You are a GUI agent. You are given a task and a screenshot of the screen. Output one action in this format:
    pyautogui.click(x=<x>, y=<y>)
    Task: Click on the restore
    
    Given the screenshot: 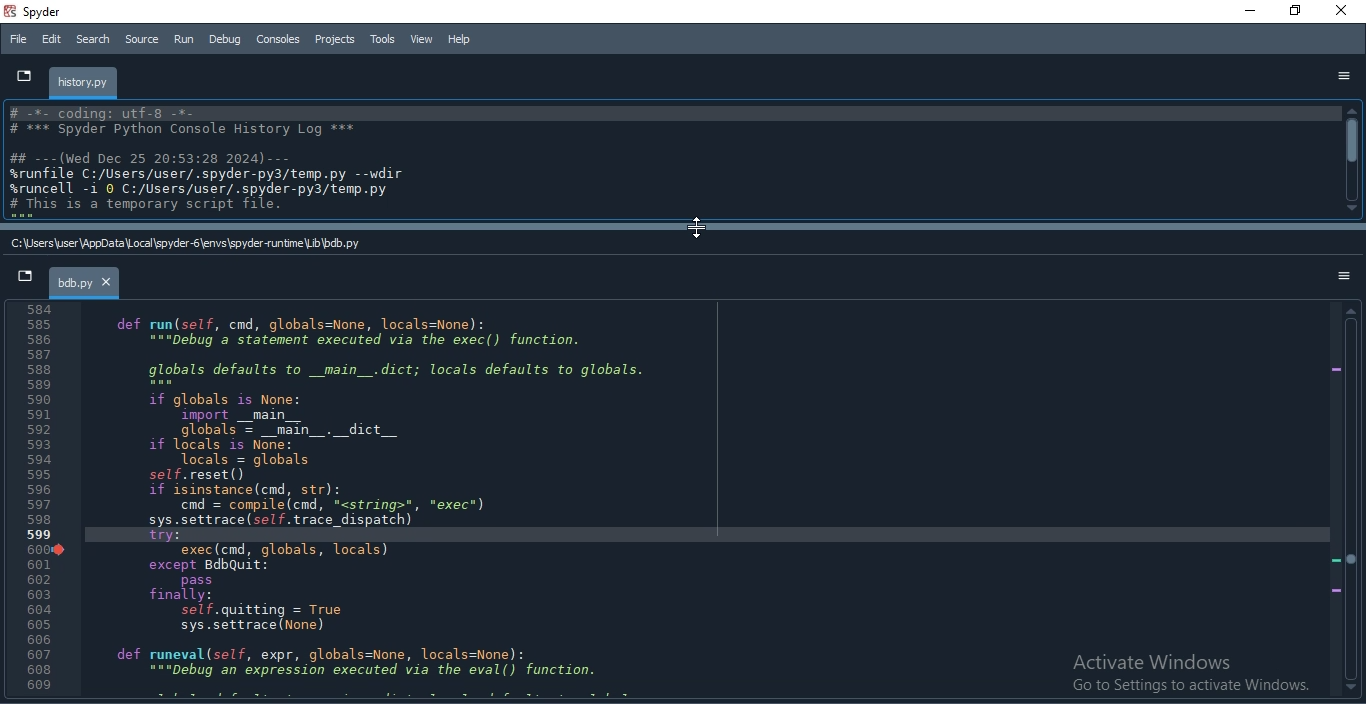 What is the action you would take?
    pyautogui.click(x=1296, y=12)
    